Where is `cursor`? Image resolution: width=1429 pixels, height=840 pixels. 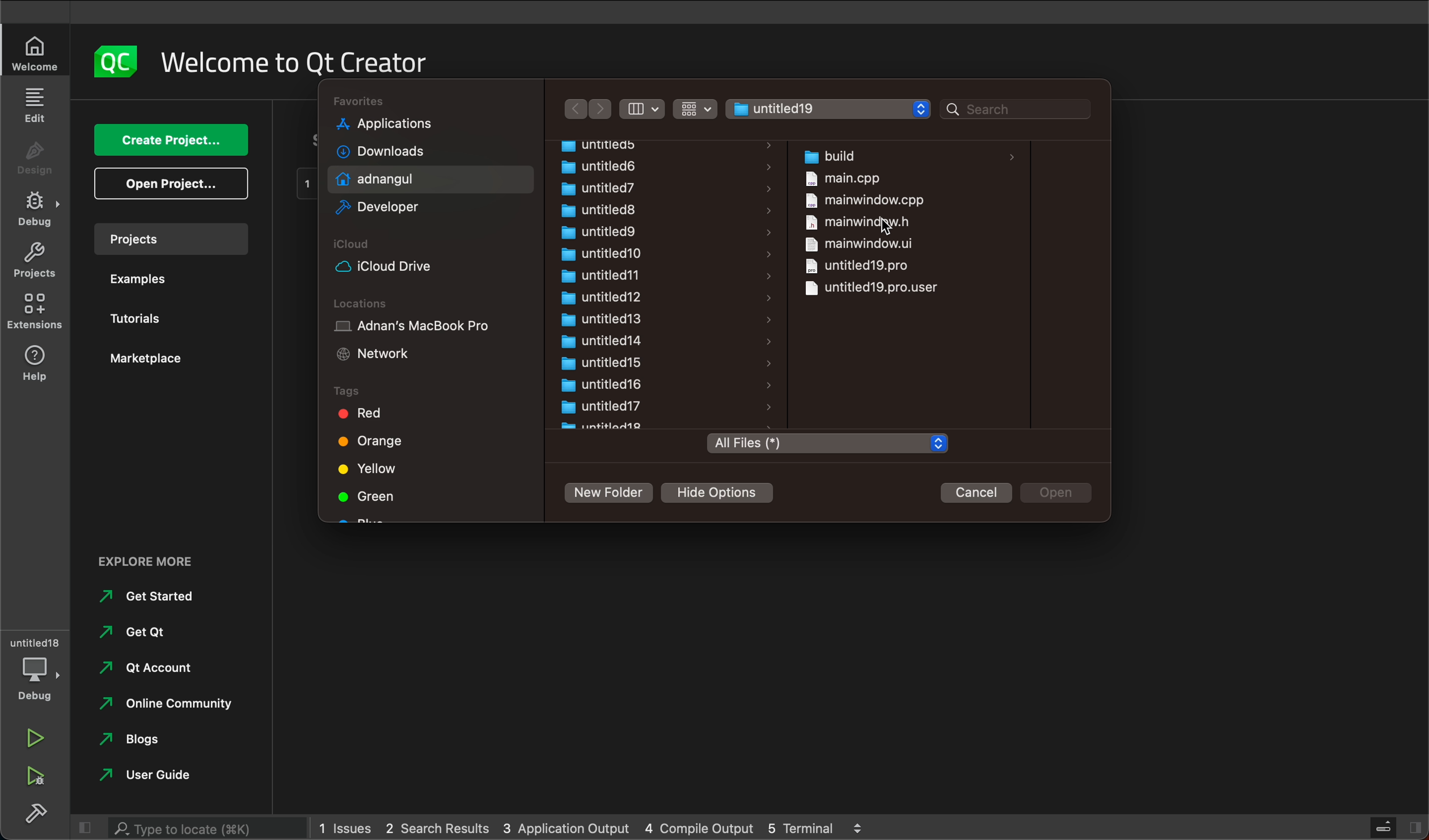 cursor is located at coordinates (885, 226).